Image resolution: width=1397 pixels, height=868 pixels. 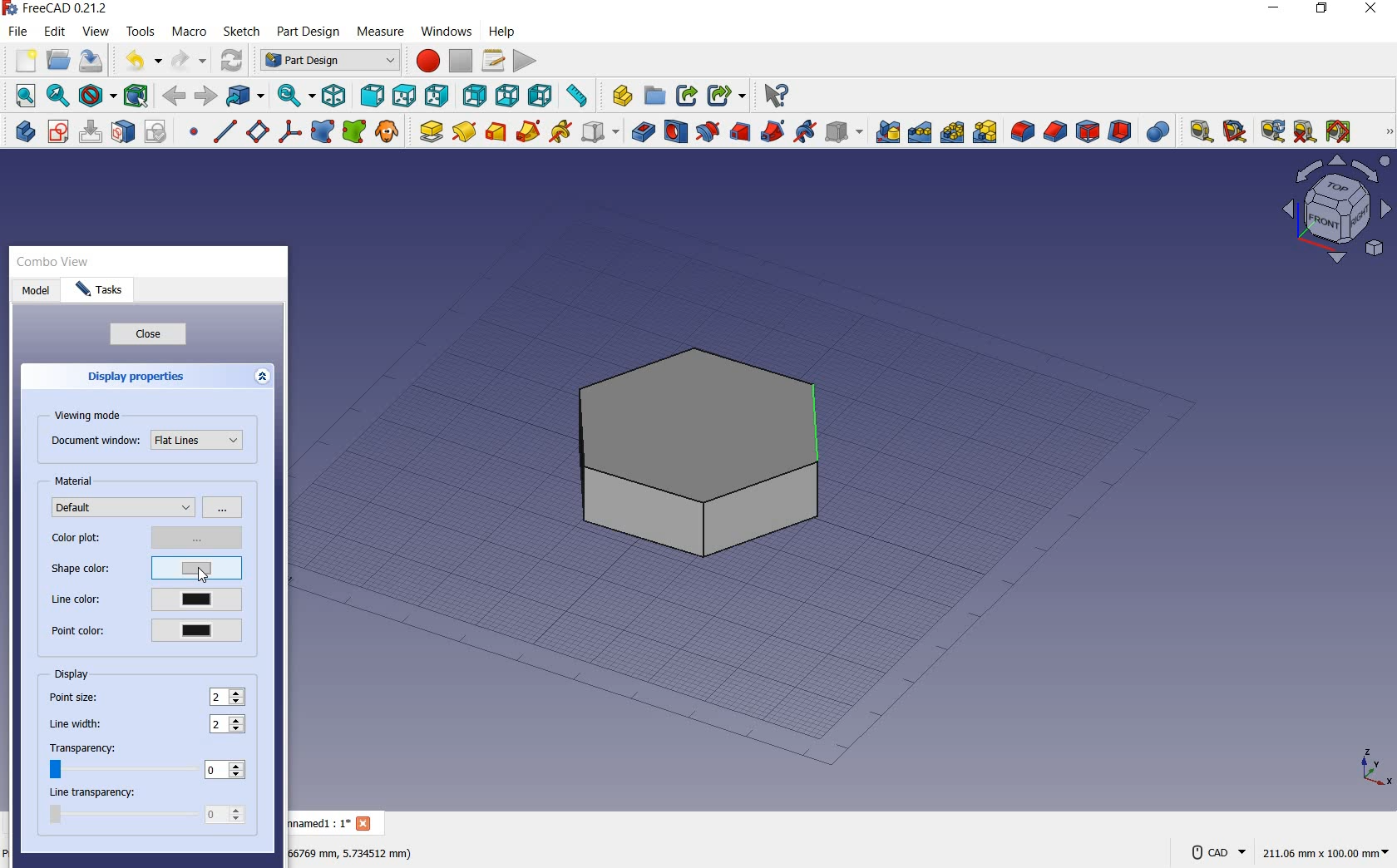 I want to click on current shape color, so click(x=200, y=570).